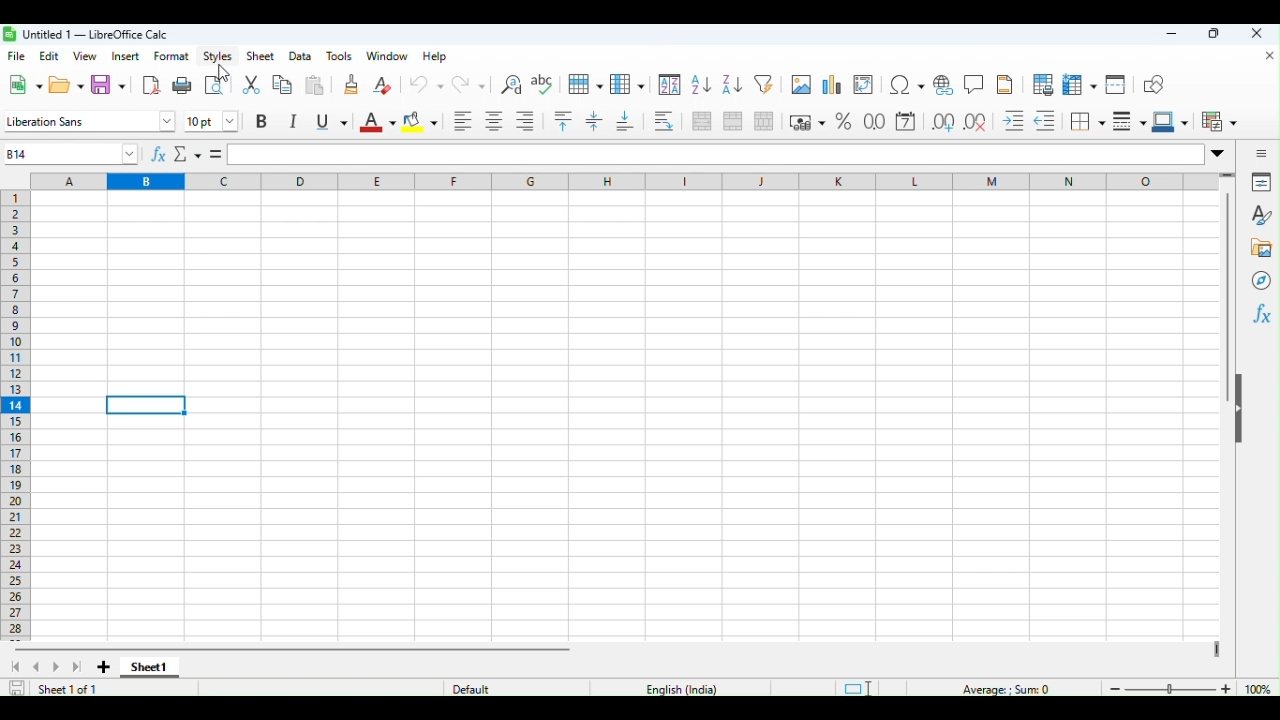 Image resolution: width=1280 pixels, height=720 pixels. Describe the element at coordinates (281, 85) in the screenshot. I see `copy` at that location.